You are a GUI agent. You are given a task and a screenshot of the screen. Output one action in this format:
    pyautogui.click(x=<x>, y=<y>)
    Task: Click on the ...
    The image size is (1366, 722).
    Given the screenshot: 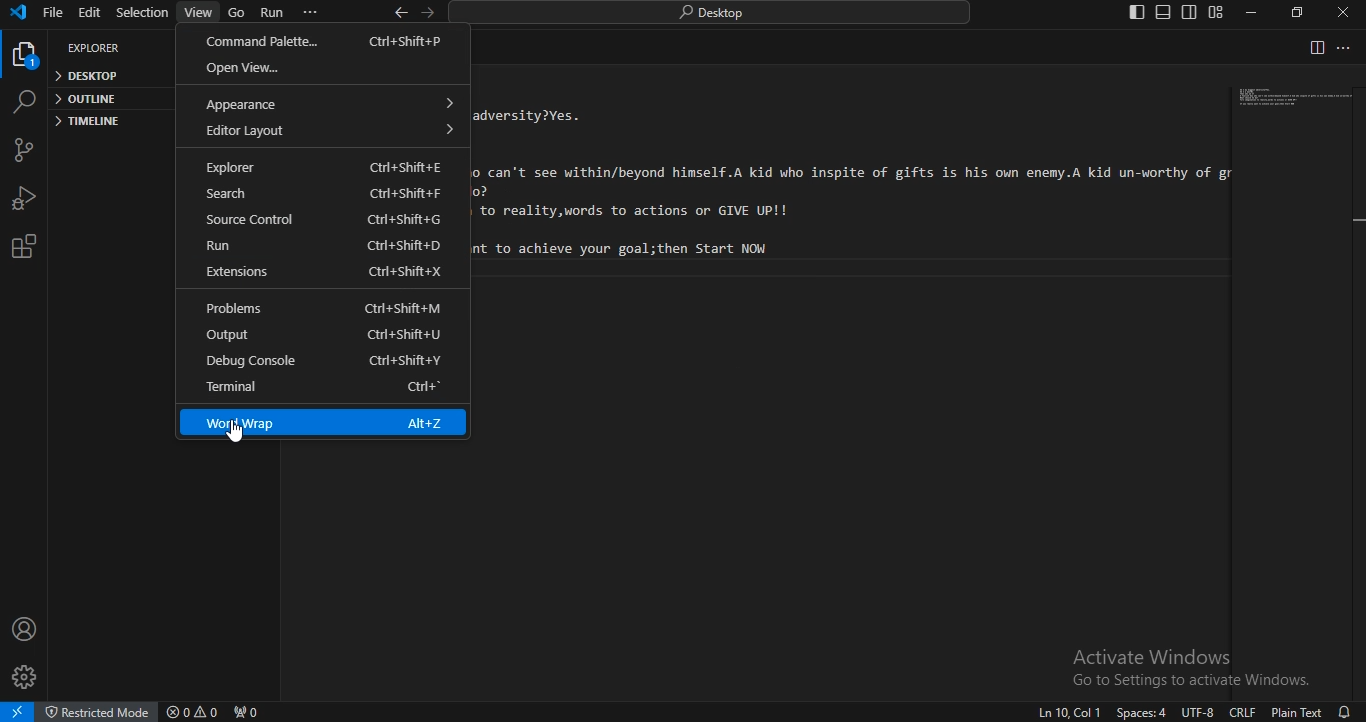 What is the action you would take?
    pyautogui.click(x=310, y=12)
    